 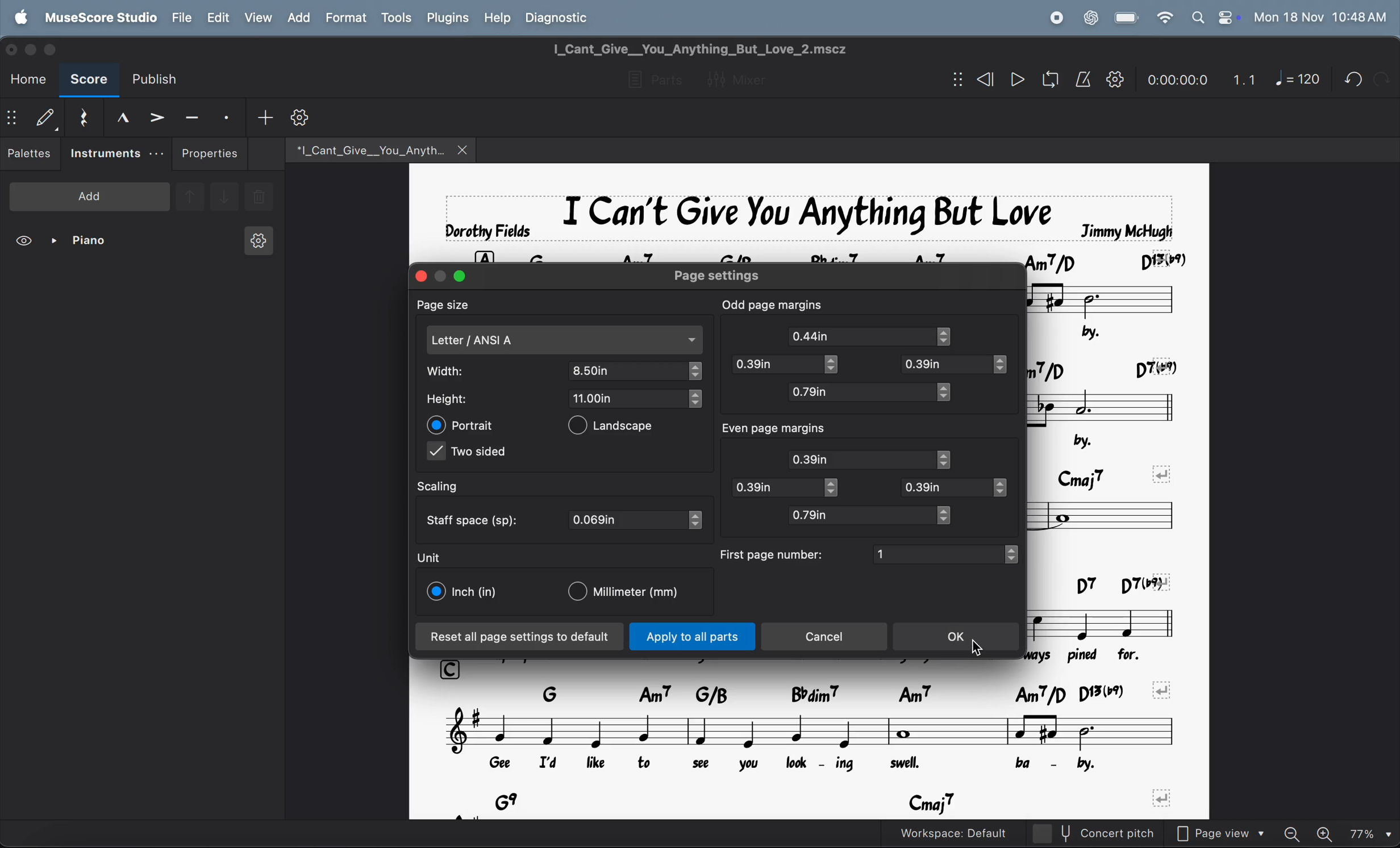 I want to click on publish, so click(x=160, y=80).